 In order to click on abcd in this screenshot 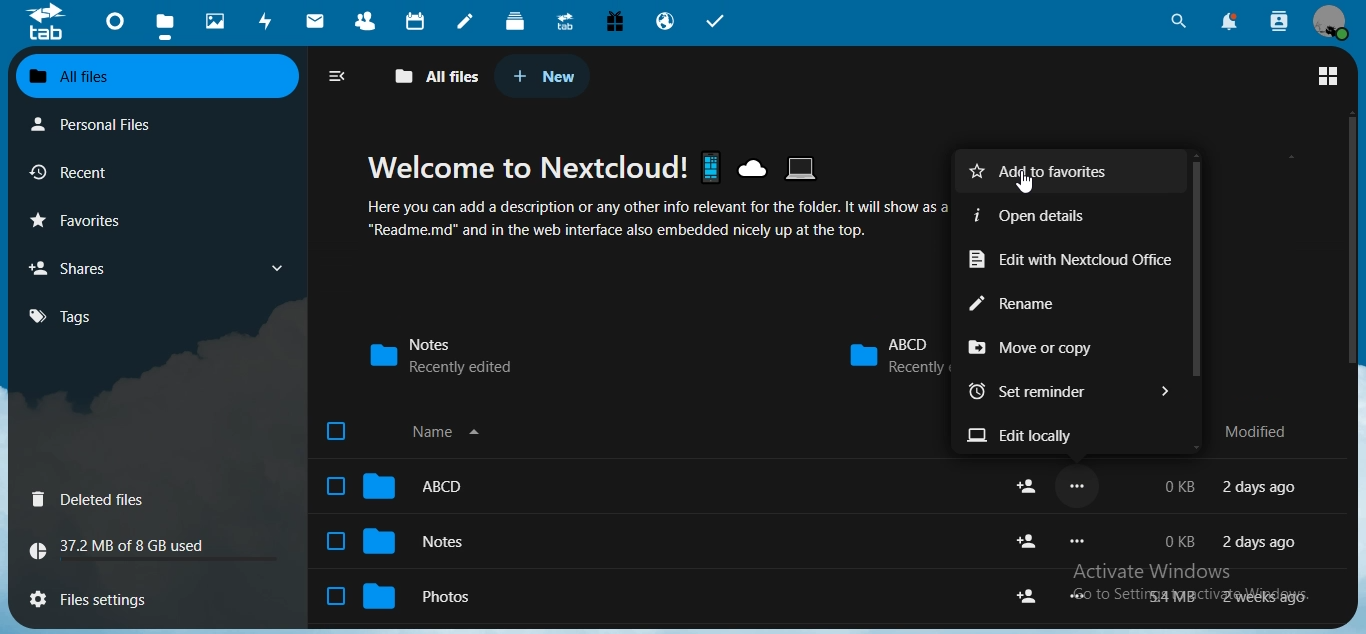, I will do `click(870, 354)`.